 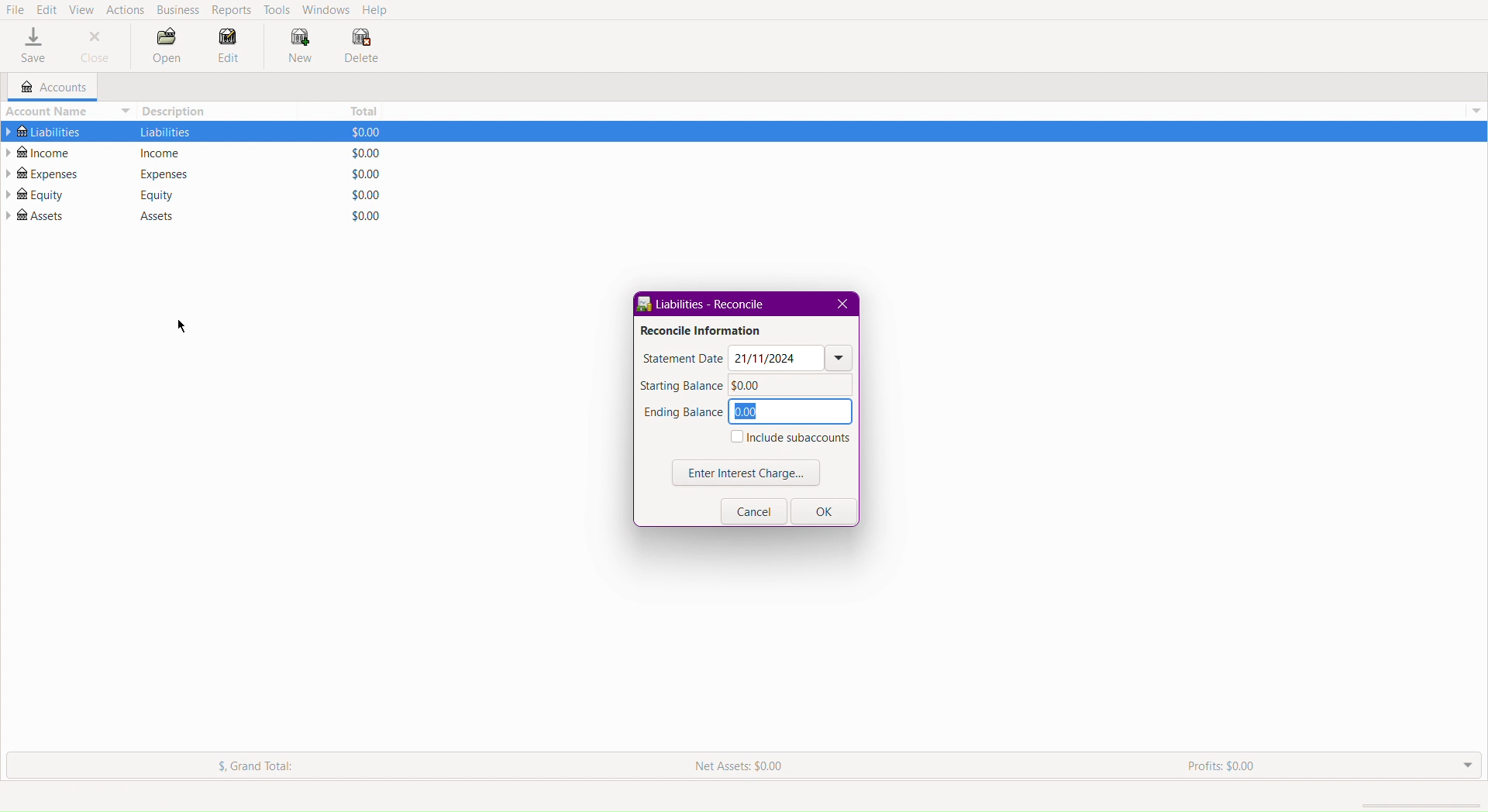 What do you see at coordinates (40, 194) in the screenshot?
I see `Equity` at bounding box center [40, 194].